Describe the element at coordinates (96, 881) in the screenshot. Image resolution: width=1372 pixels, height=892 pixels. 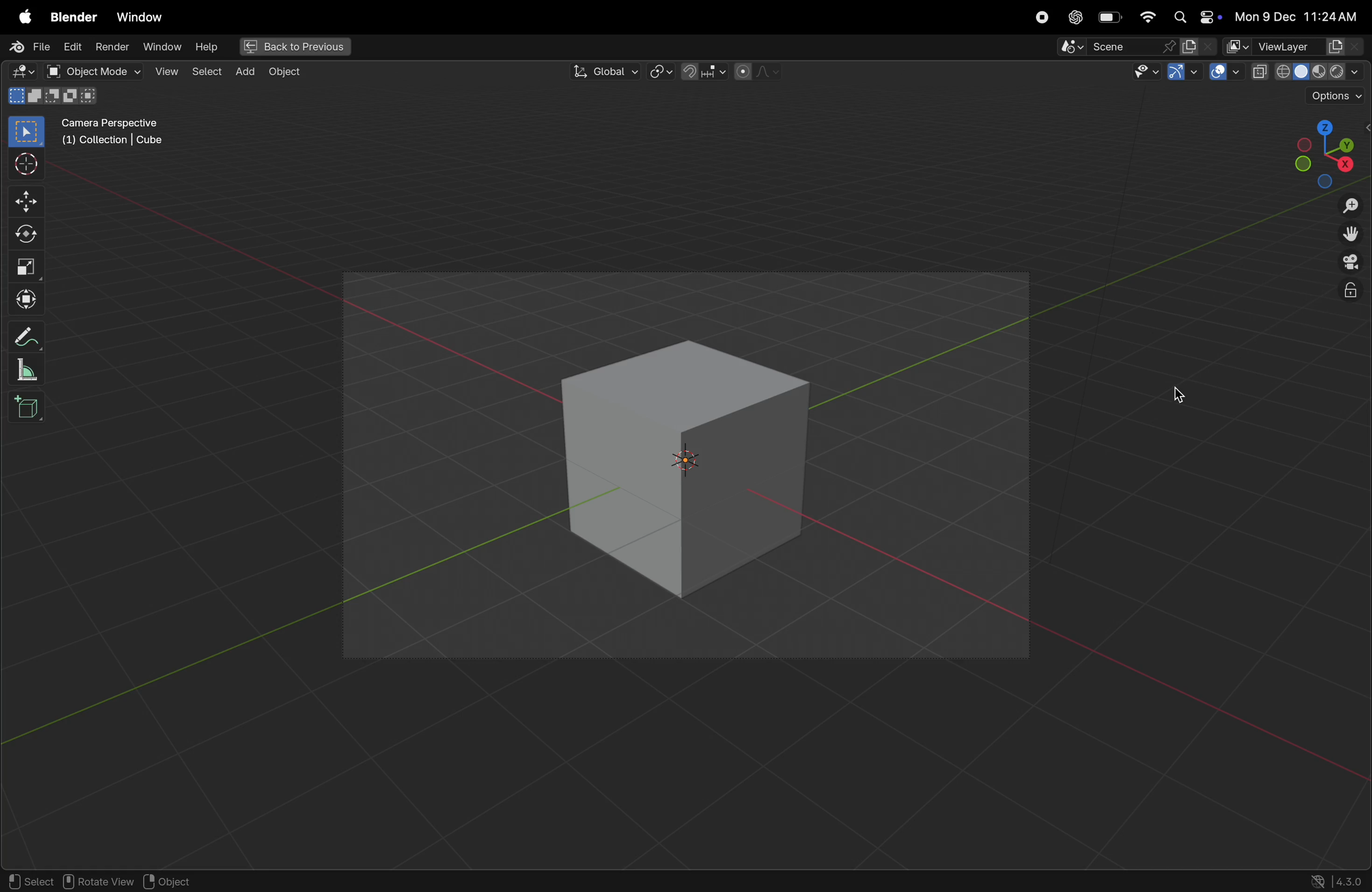
I see `rotate view` at that location.